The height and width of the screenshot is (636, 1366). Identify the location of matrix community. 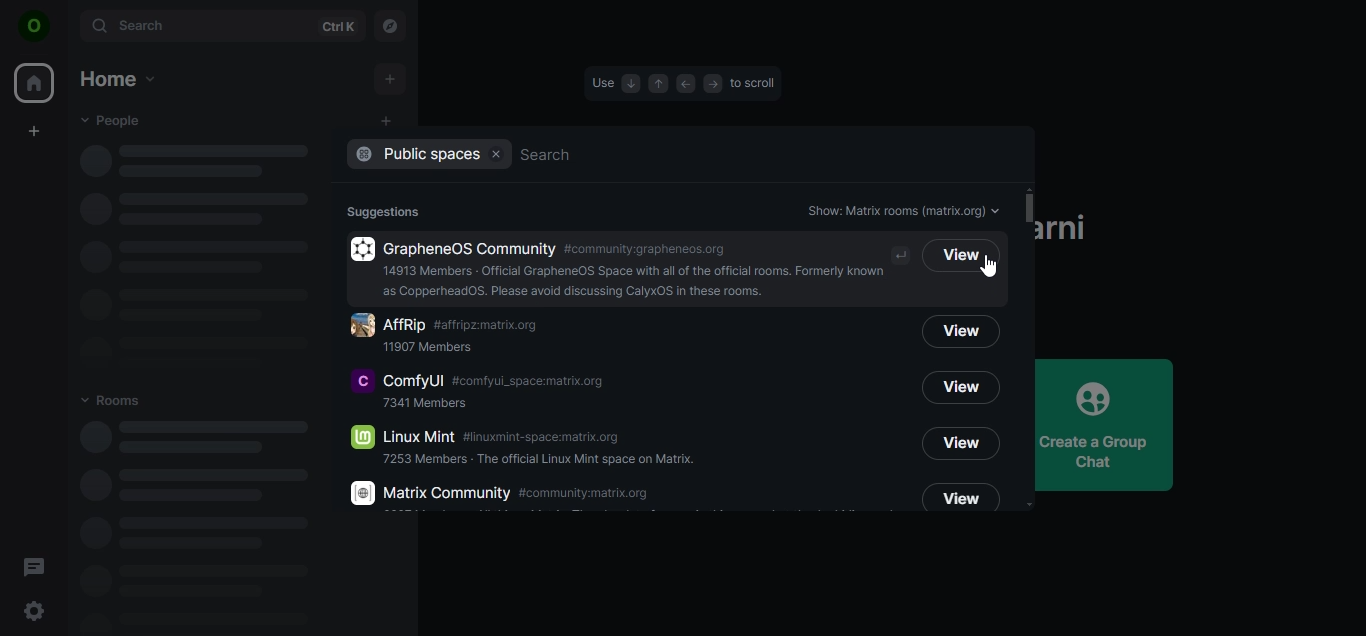
(516, 492).